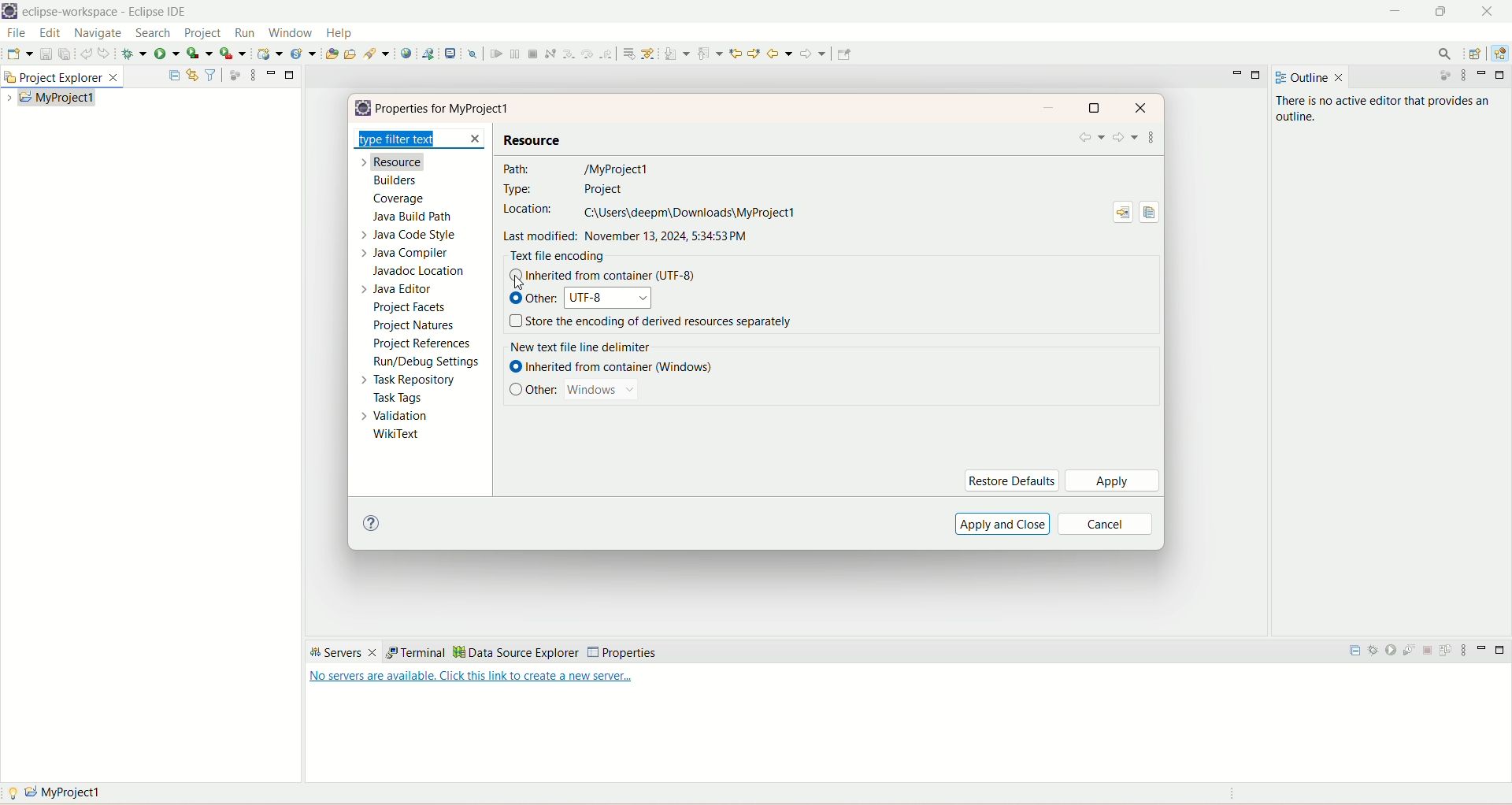 This screenshot has height=805, width=1512. What do you see at coordinates (601, 391) in the screenshot?
I see `windows` at bounding box center [601, 391].